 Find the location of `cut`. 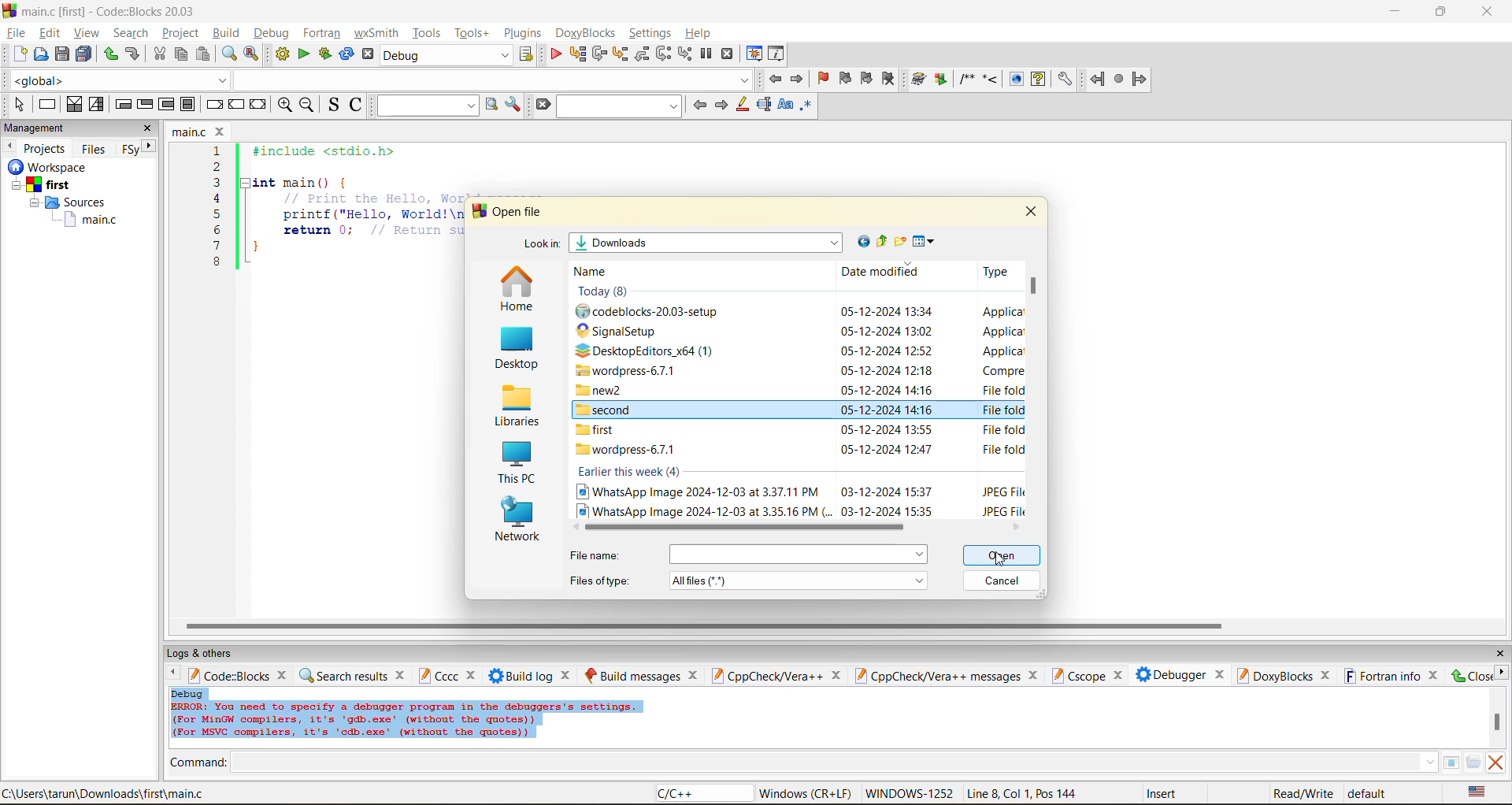

cut is located at coordinates (159, 54).